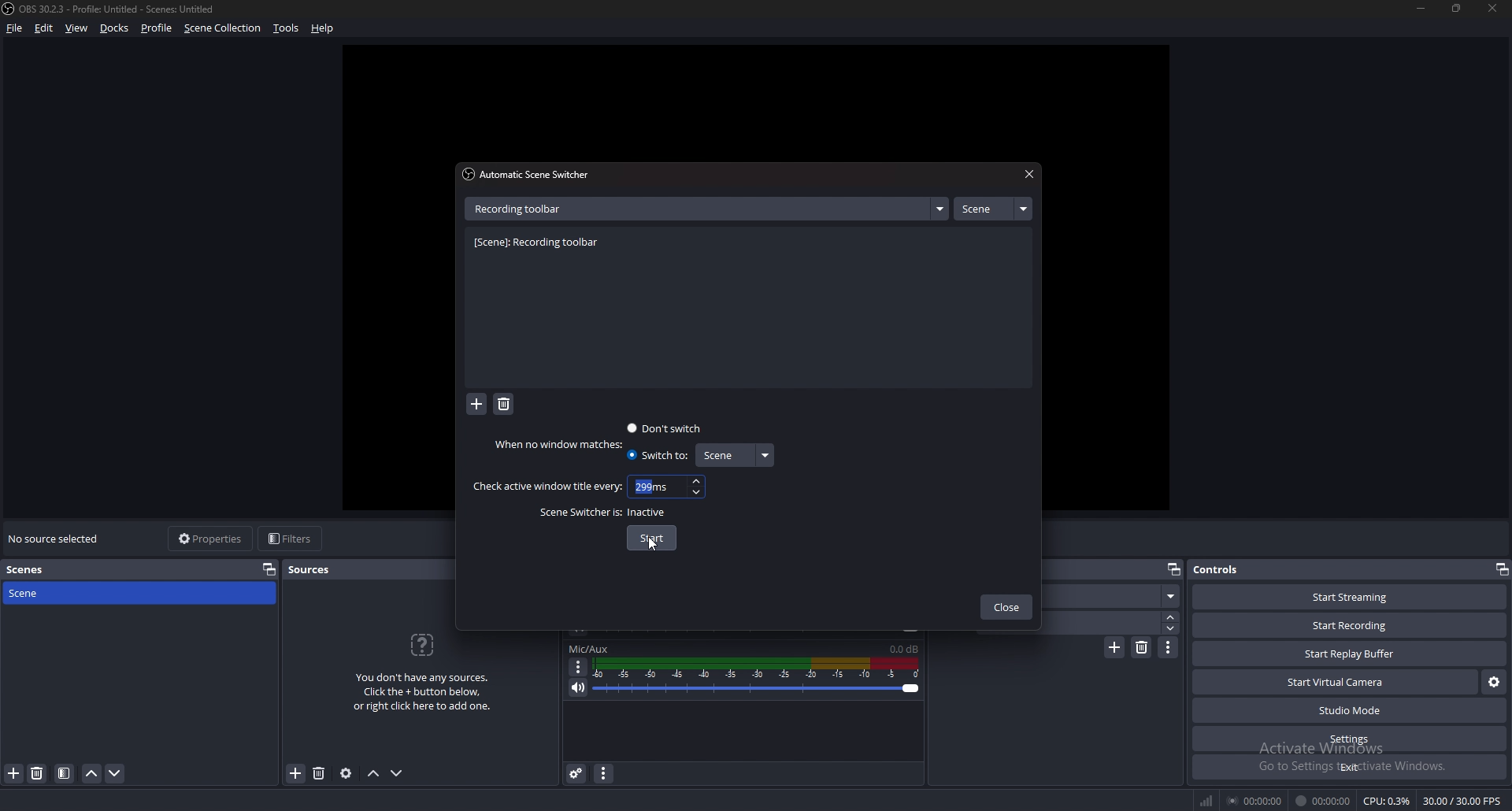  I want to click on advanced audio properties, so click(576, 772).